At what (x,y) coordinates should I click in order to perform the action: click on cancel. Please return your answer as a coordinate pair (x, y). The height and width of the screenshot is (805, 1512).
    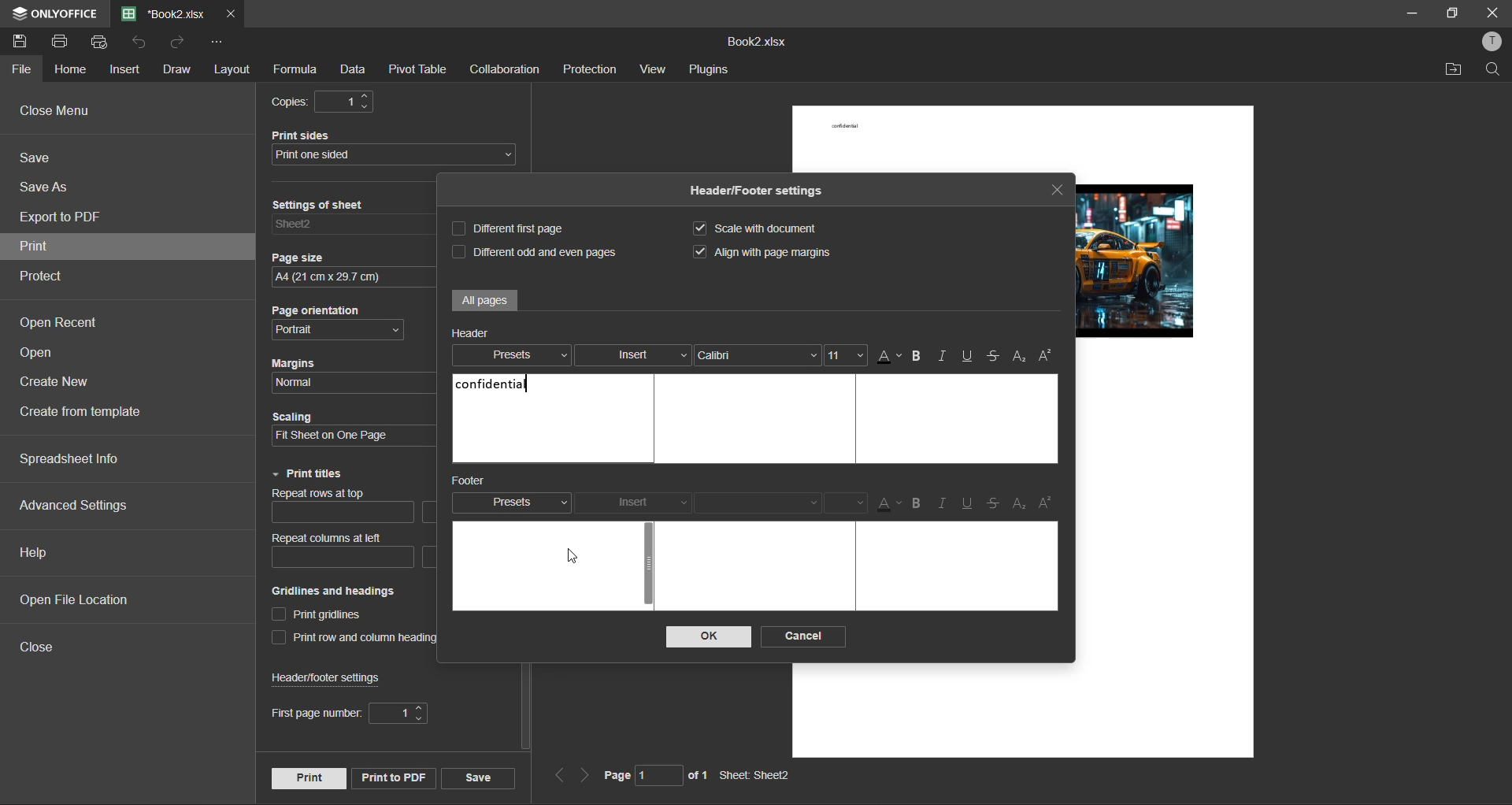
    Looking at the image, I should click on (799, 636).